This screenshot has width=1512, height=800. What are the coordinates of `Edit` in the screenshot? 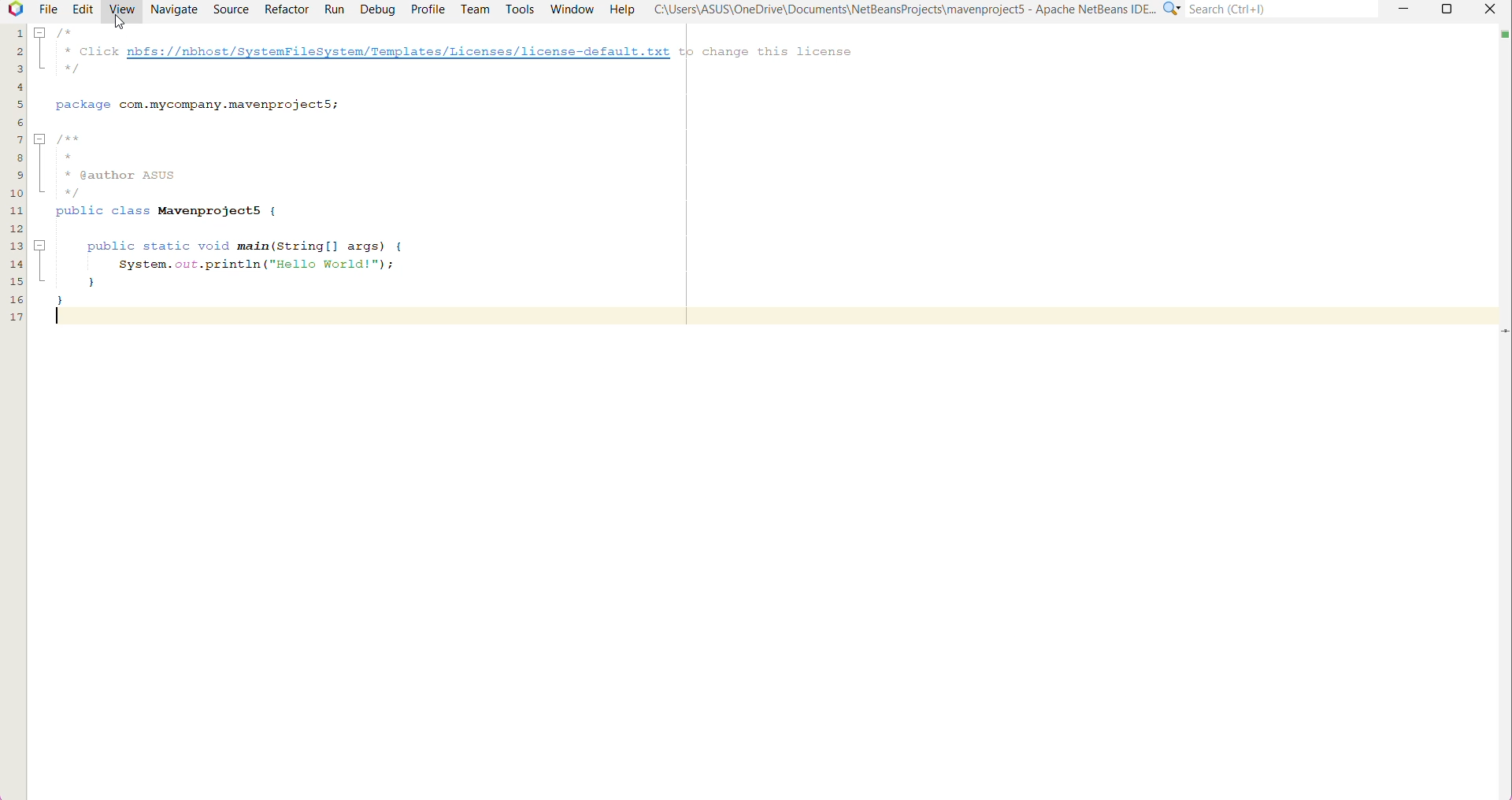 It's located at (81, 9).